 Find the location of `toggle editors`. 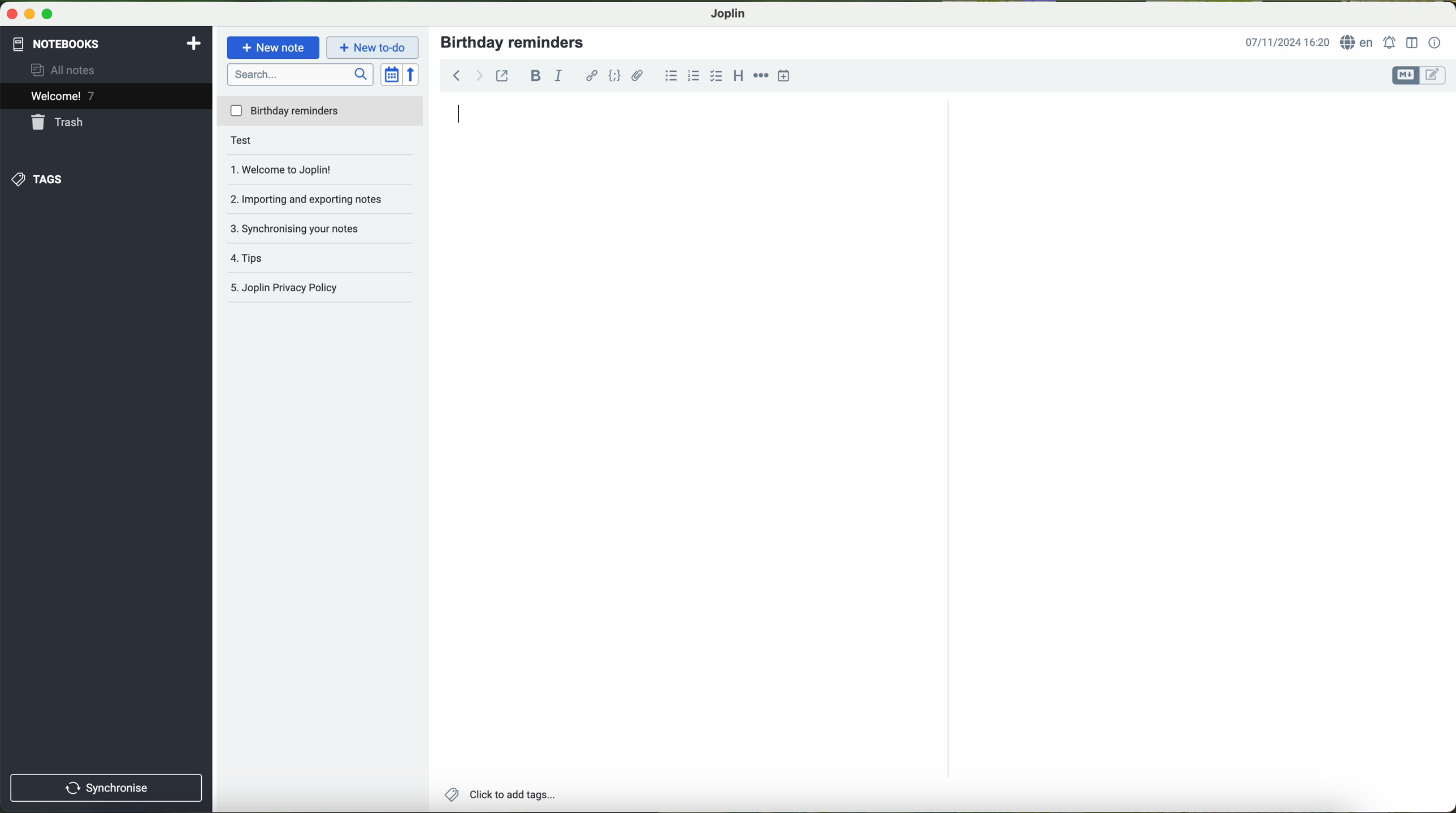

toggle editors is located at coordinates (1420, 76).